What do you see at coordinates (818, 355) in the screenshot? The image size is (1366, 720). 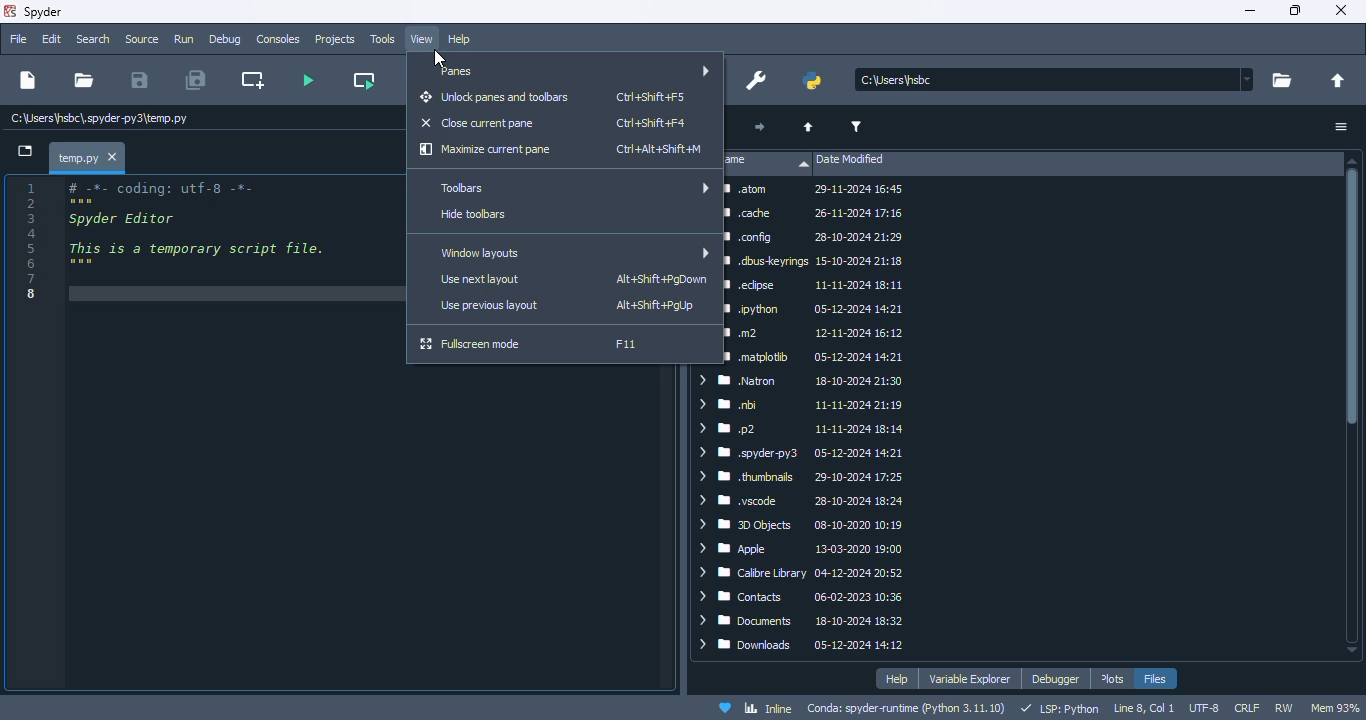 I see `-matplotib` at bounding box center [818, 355].